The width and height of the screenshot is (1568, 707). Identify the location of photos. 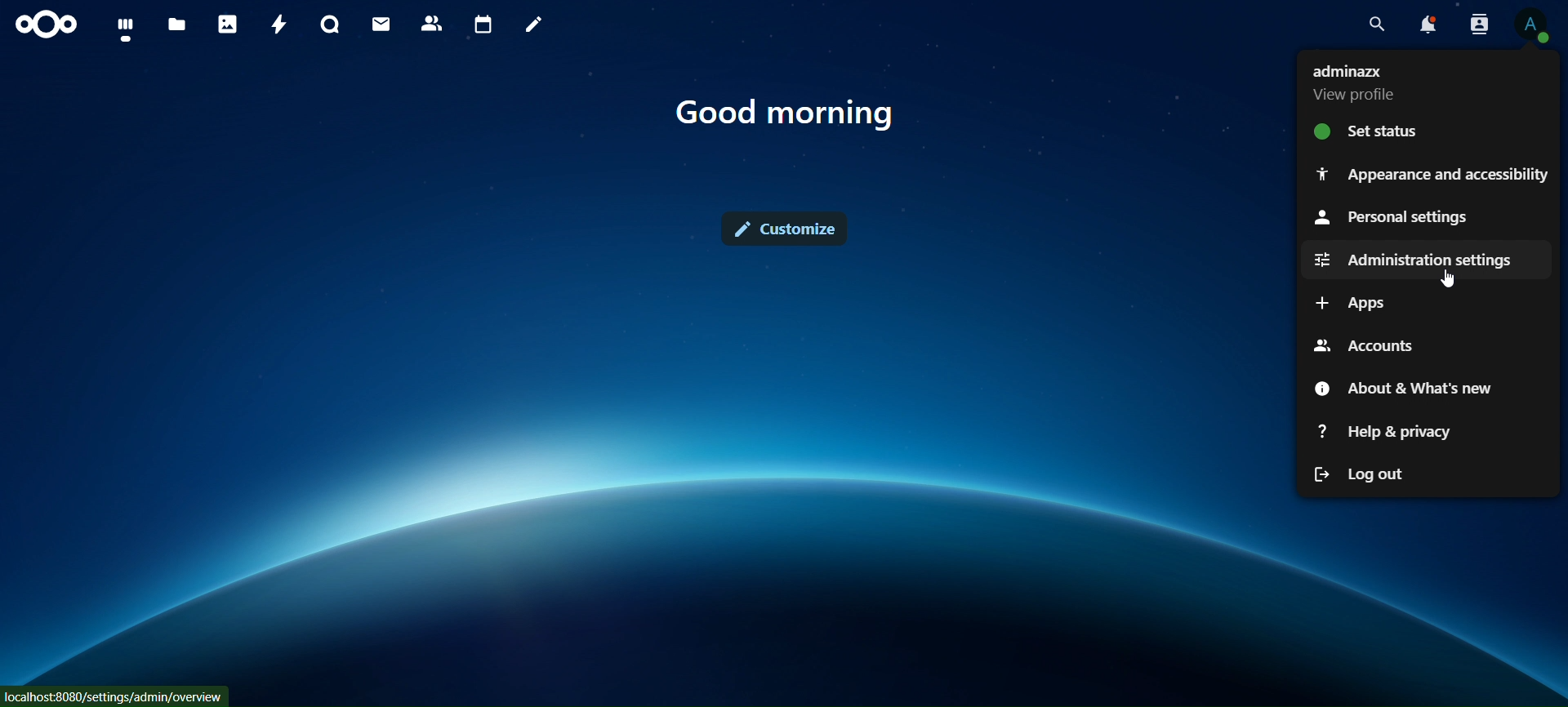
(227, 24).